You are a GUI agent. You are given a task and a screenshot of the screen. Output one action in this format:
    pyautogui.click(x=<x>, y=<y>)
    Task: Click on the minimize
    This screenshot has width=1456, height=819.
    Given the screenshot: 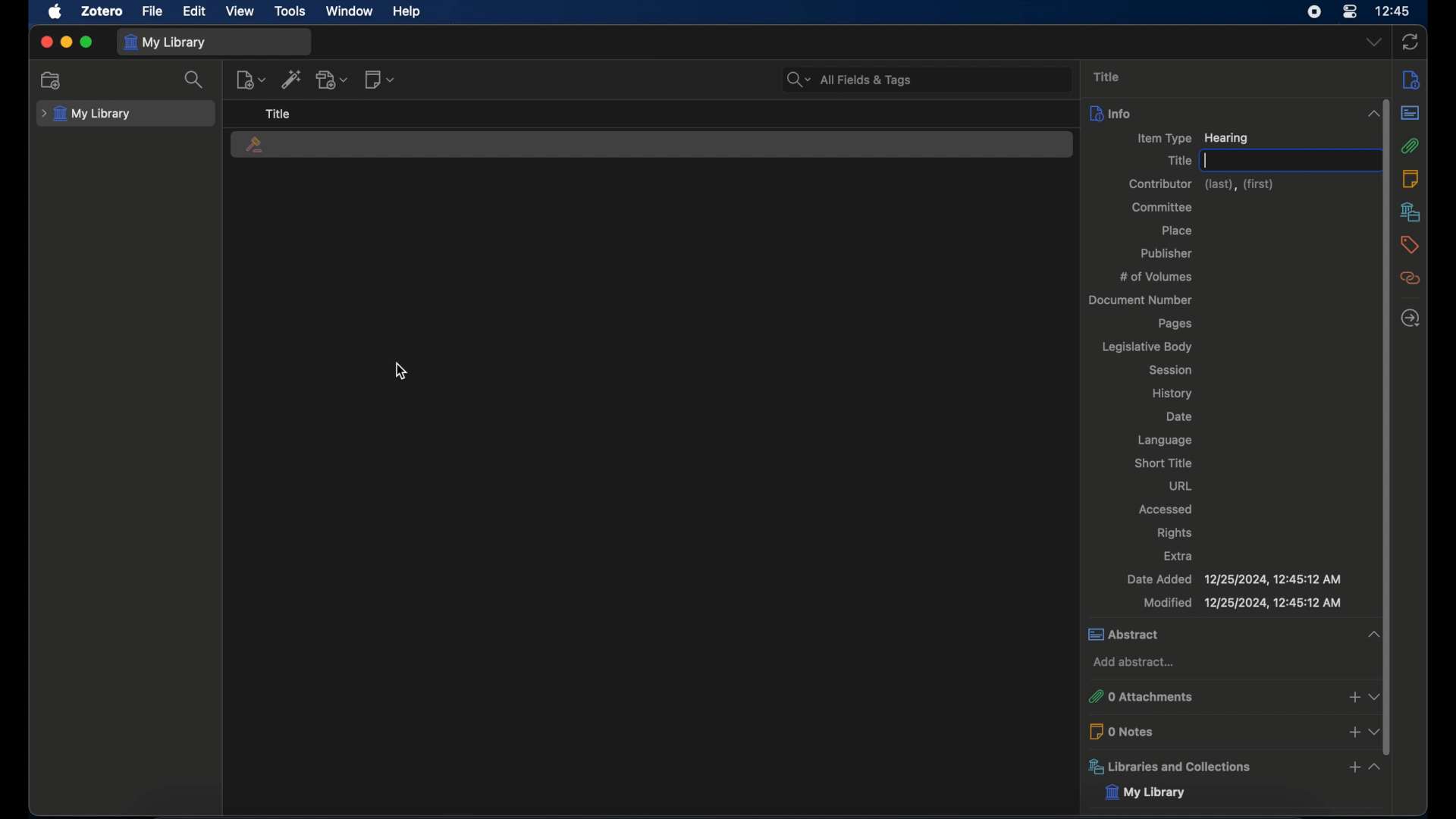 What is the action you would take?
    pyautogui.click(x=67, y=42)
    